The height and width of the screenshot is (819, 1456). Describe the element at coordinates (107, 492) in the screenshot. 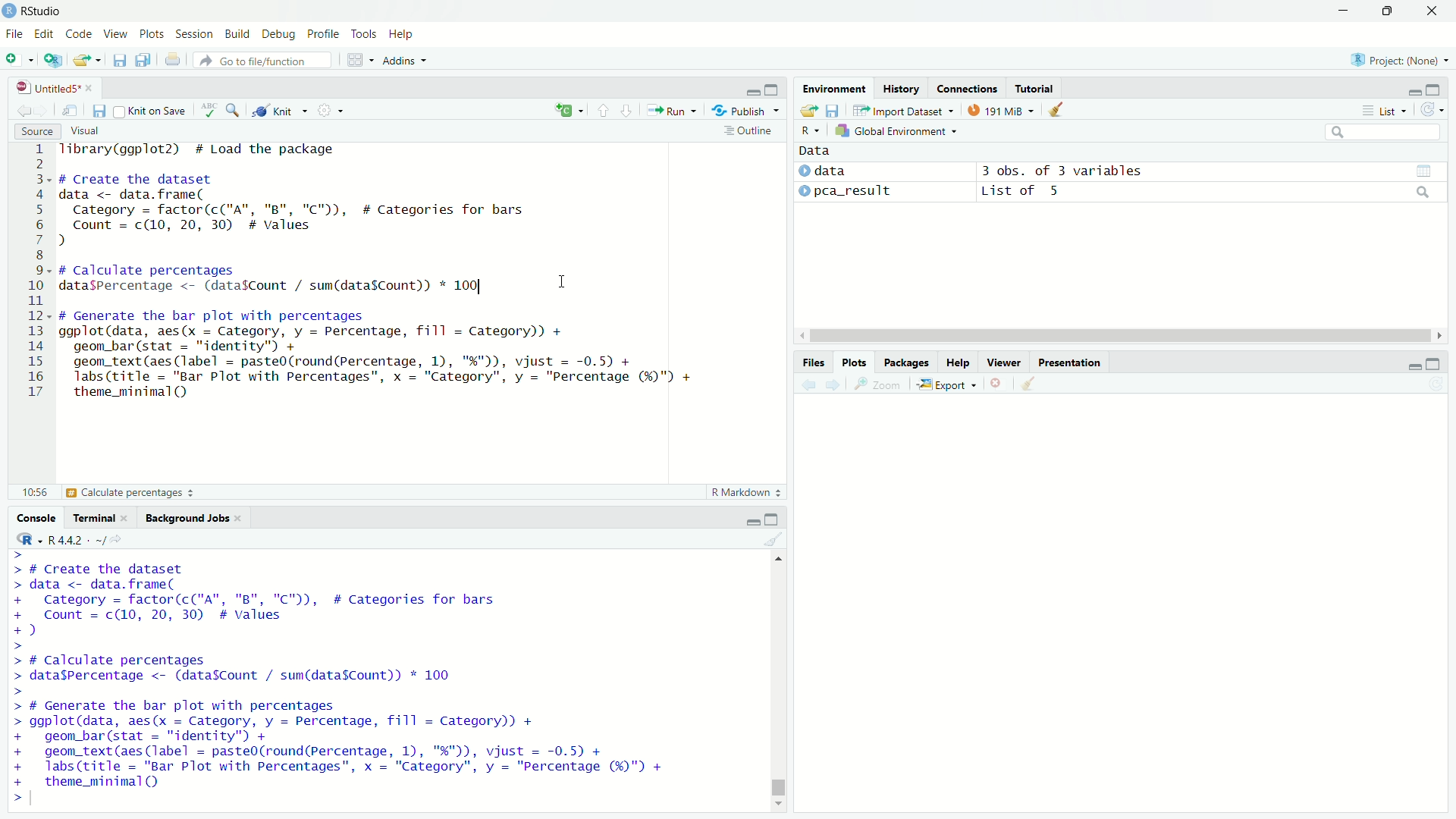

I see `calculate percentages` at that location.